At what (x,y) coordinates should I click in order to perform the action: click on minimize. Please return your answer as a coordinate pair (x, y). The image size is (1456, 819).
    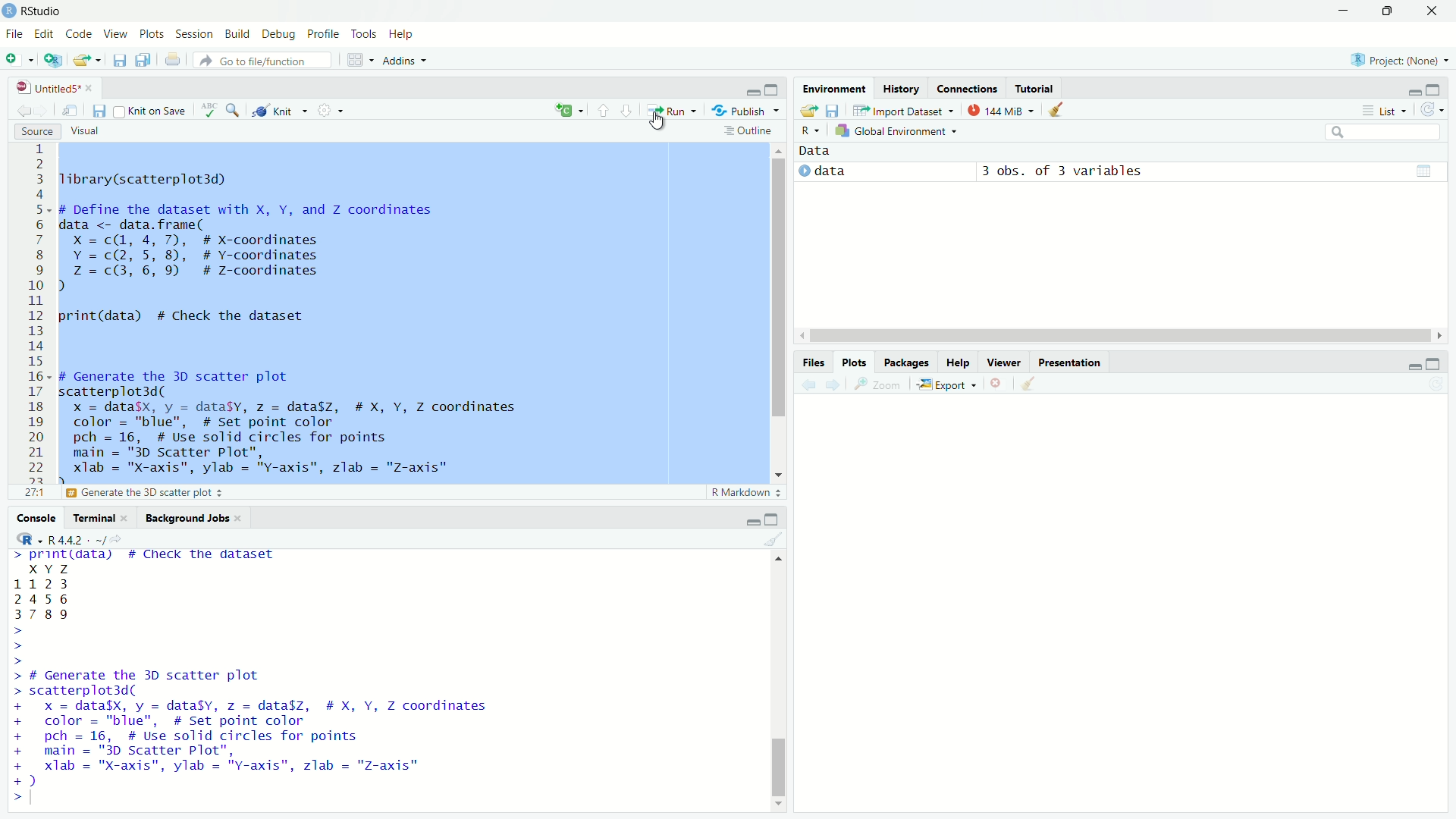
    Looking at the image, I should click on (752, 91).